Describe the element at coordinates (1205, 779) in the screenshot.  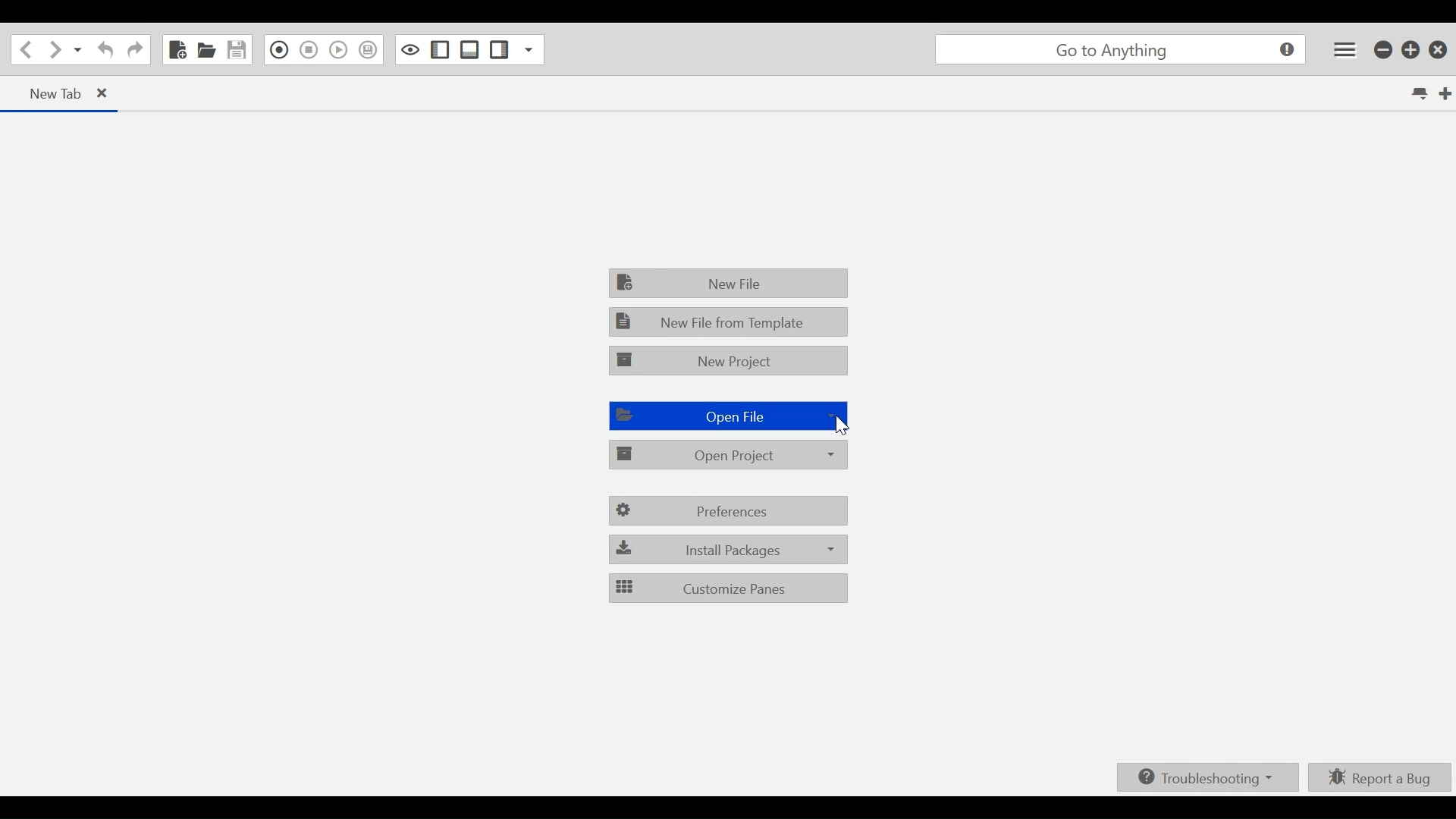
I see `Troubleshooting` at that location.